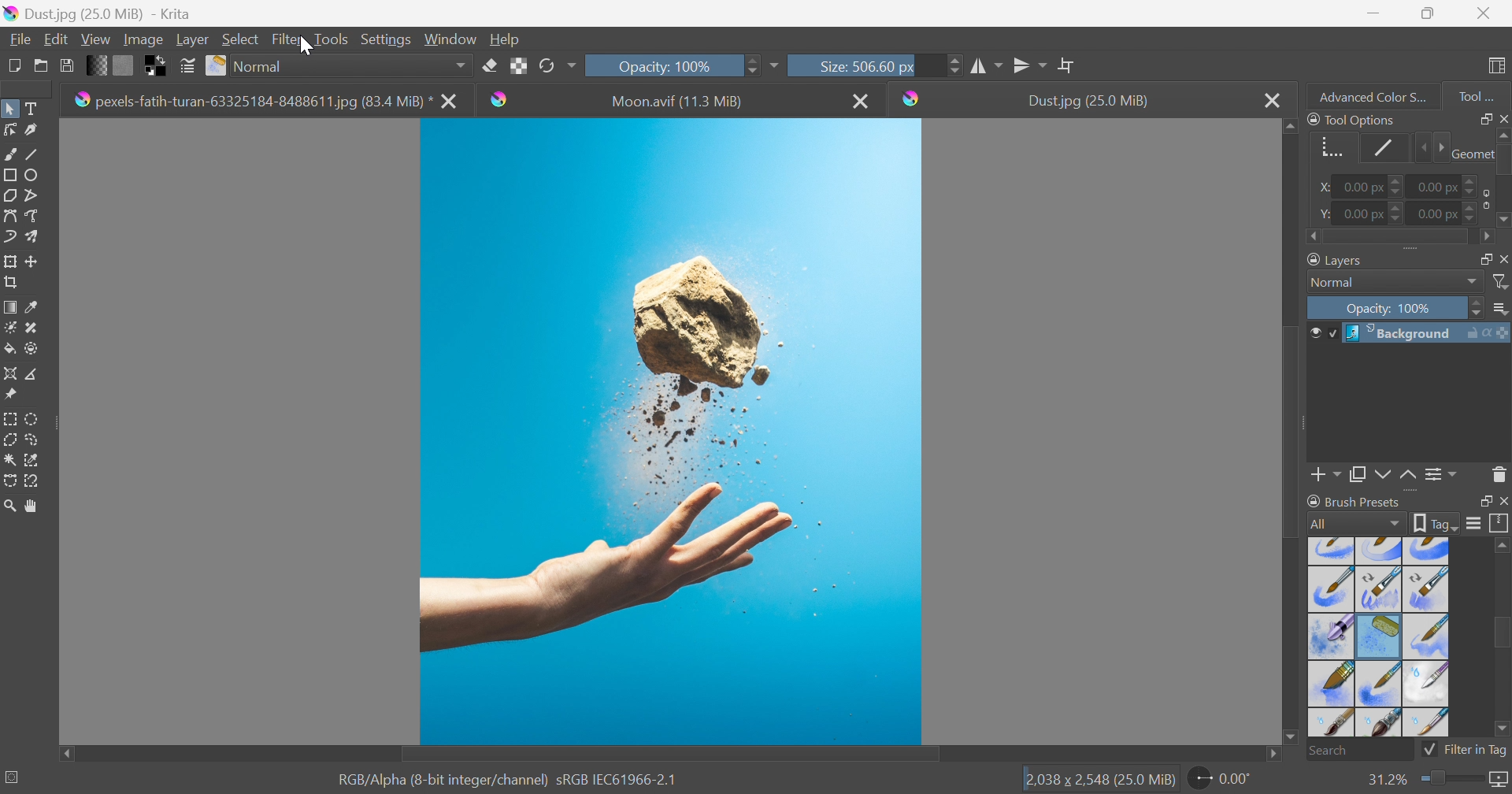 This screenshot has width=1512, height=794. Describe the element at coordinates (36, 458) in the screenshot. I see `selection tool` at that location.